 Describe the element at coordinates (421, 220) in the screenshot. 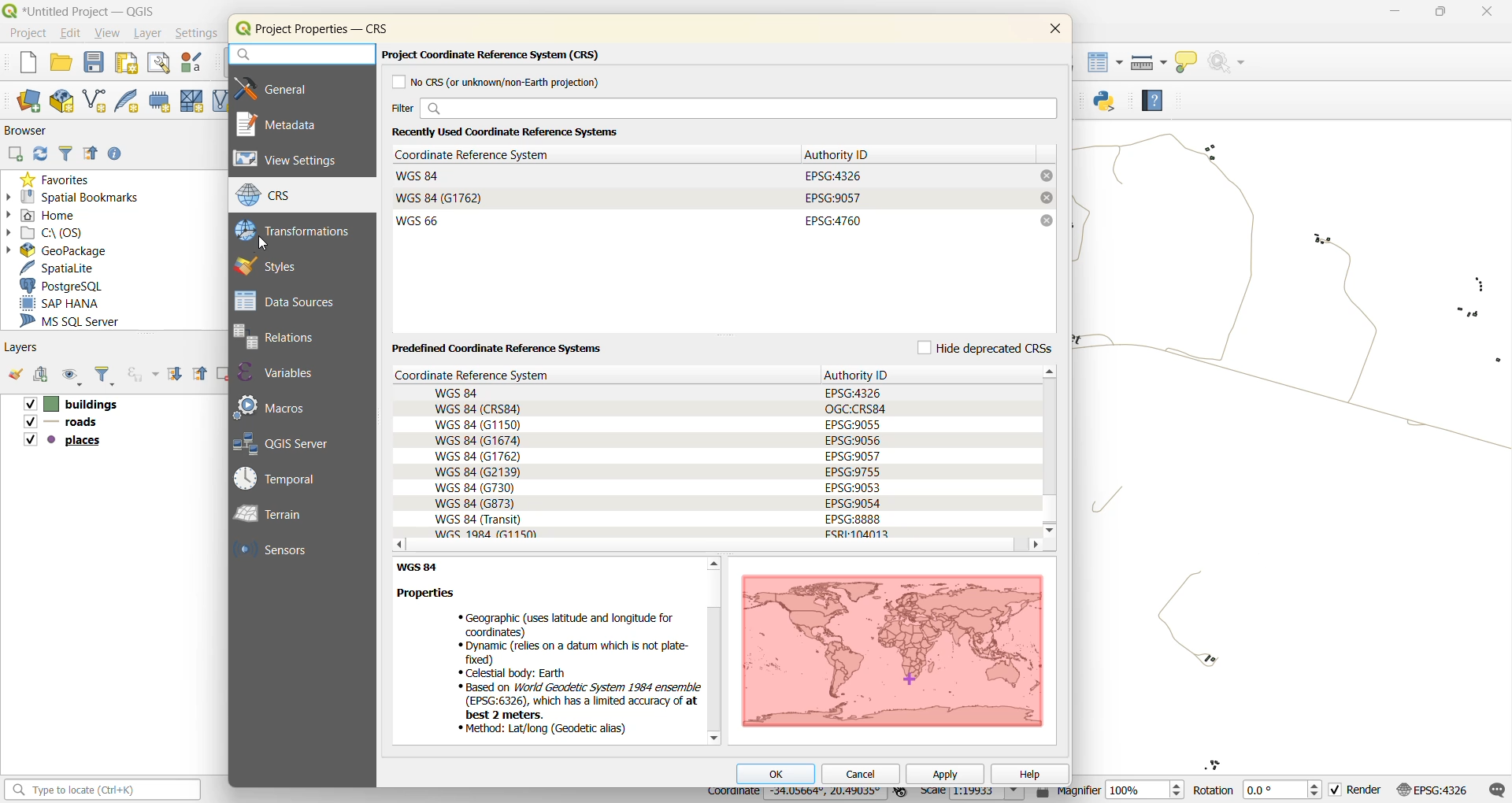

I see `WGS 66` at that location.